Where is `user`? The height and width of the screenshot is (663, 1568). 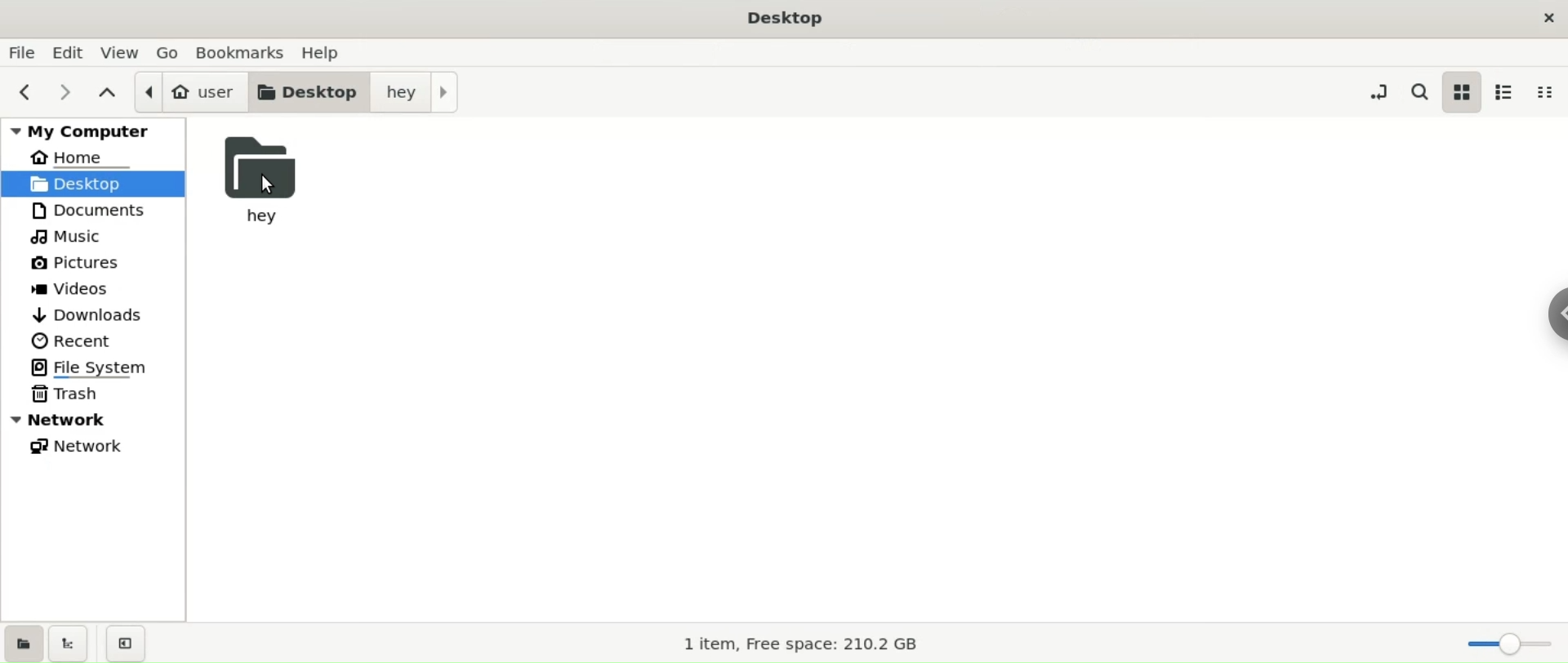 user is located at coordinates (189, 92).